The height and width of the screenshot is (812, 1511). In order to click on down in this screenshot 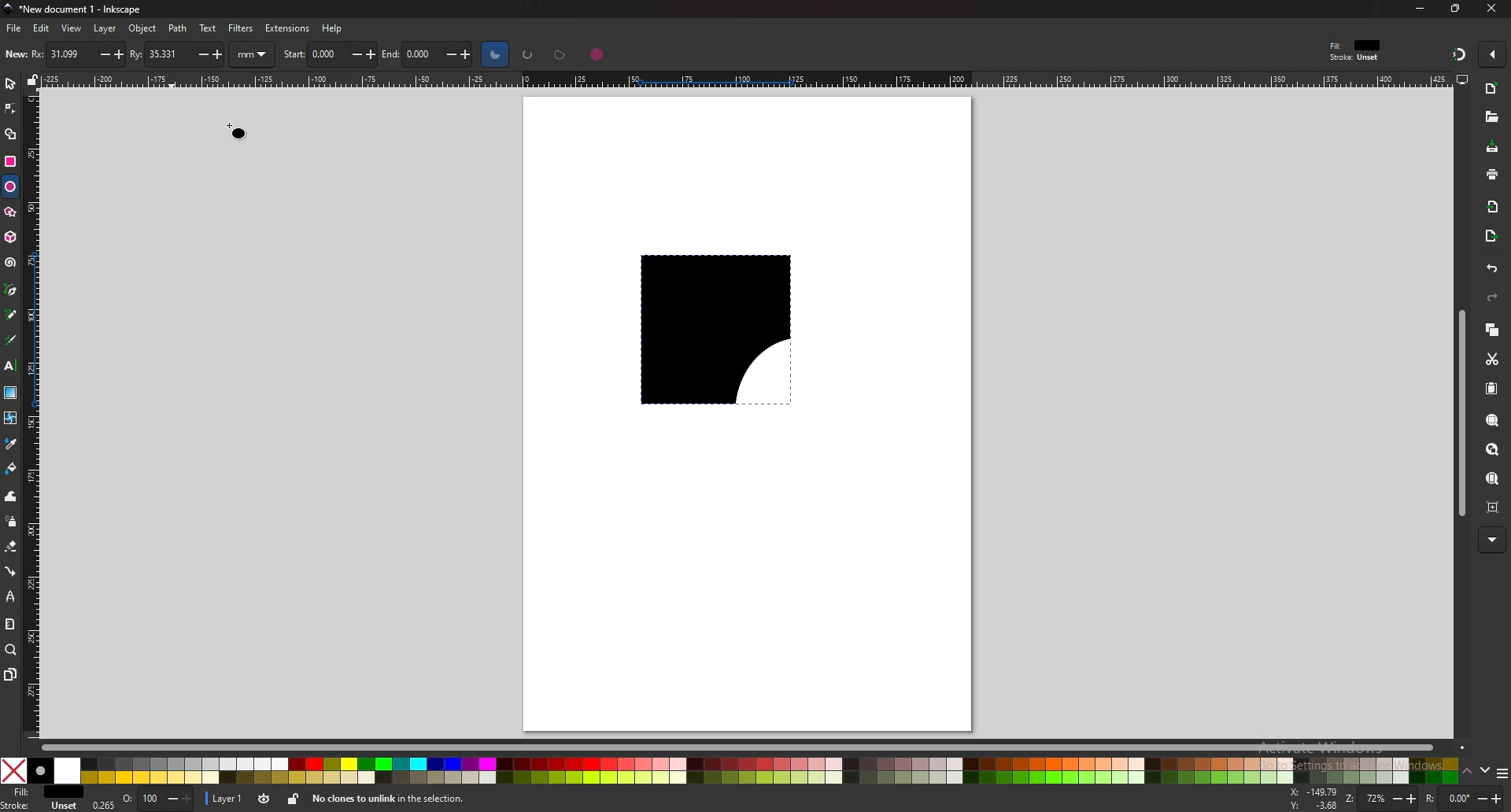, I will do `click(1487, 773)`.